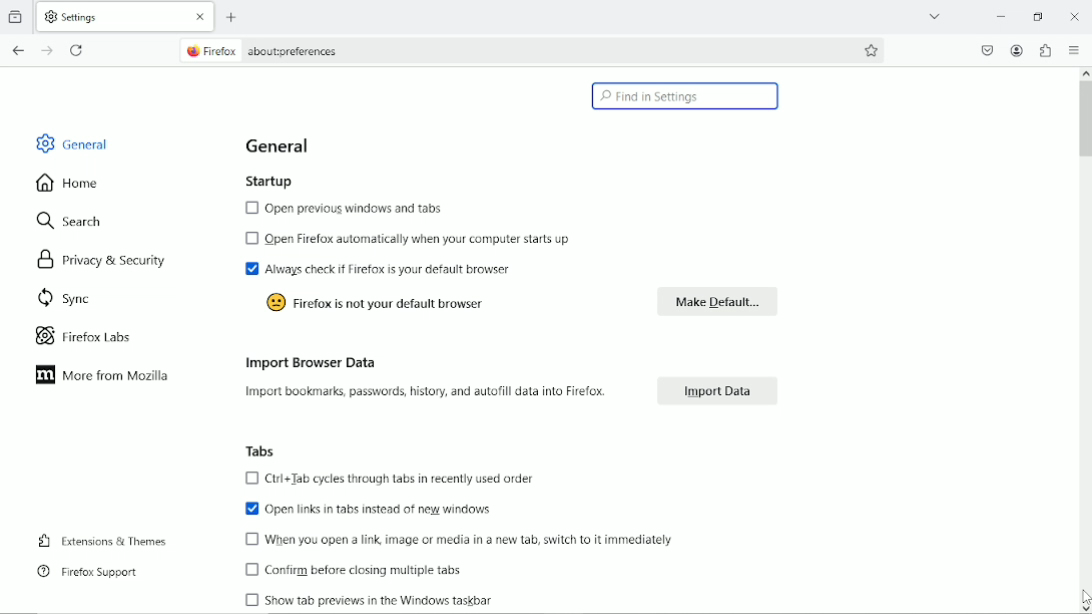  Describe the element at coordinates (715, 302) in the screenshot. I see `Make default` at that location.